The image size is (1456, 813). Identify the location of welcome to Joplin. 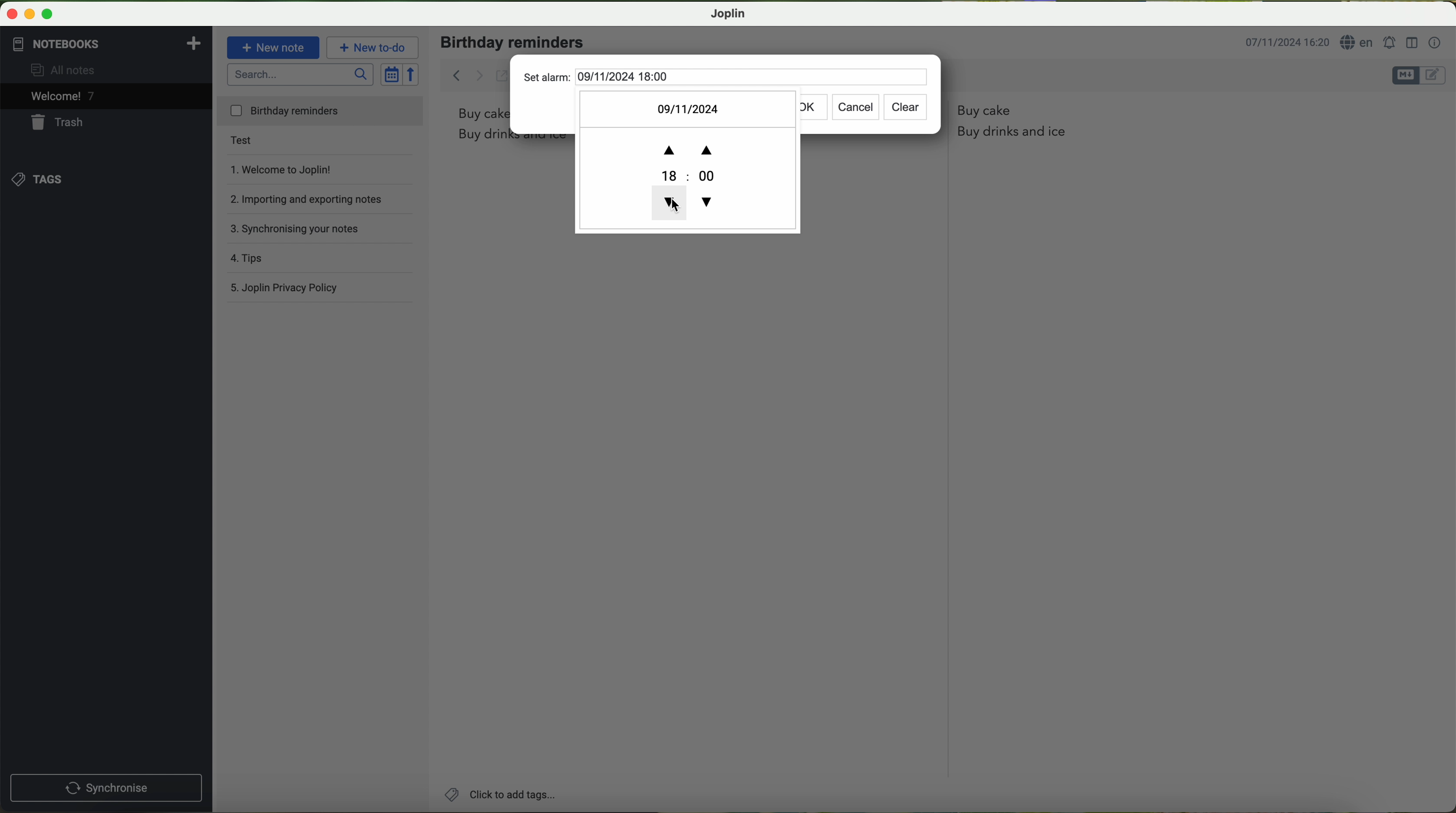
(297, 169).